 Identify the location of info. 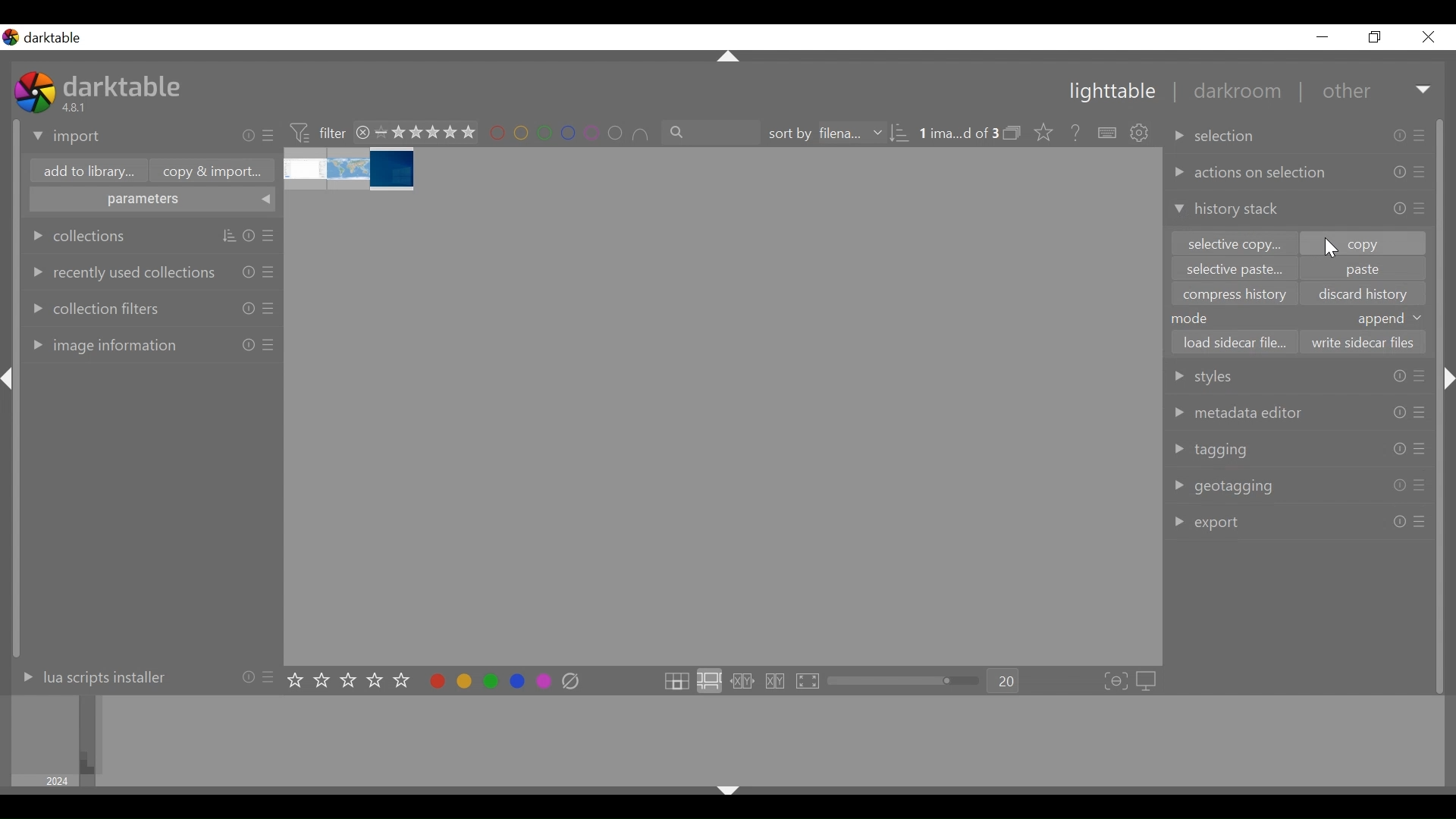
(1399, 450).